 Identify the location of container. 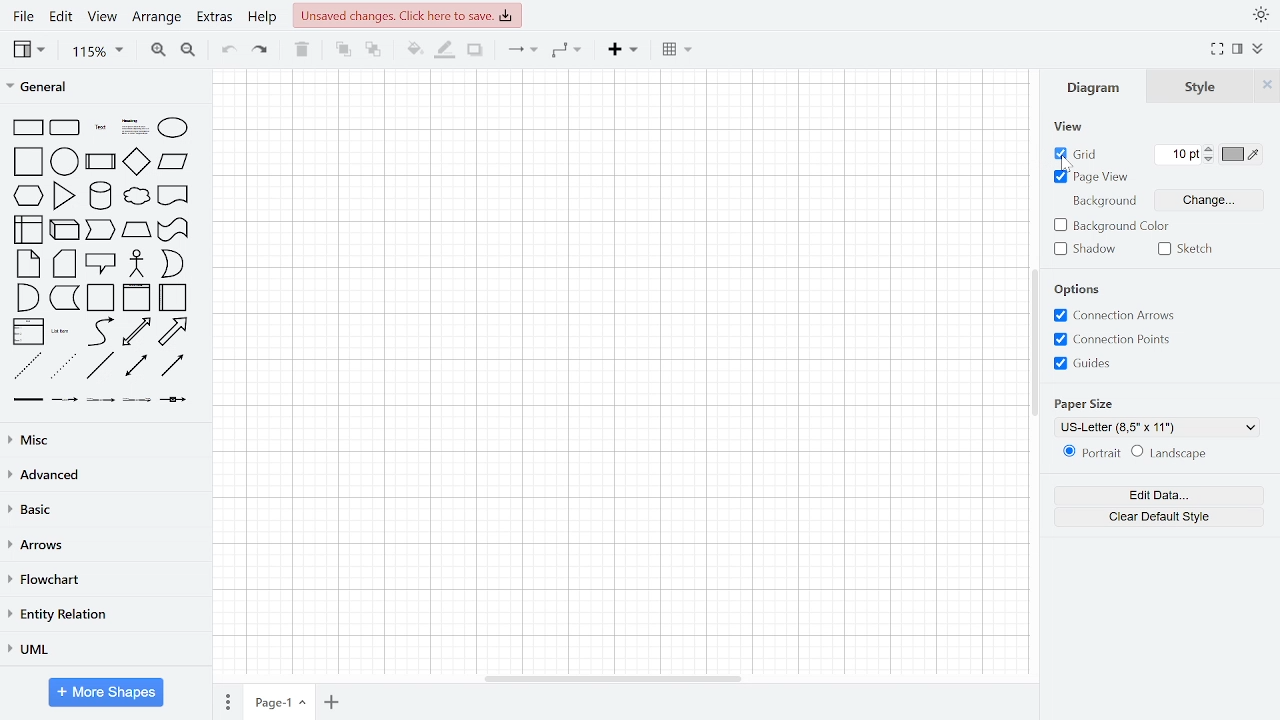
(100, 298).